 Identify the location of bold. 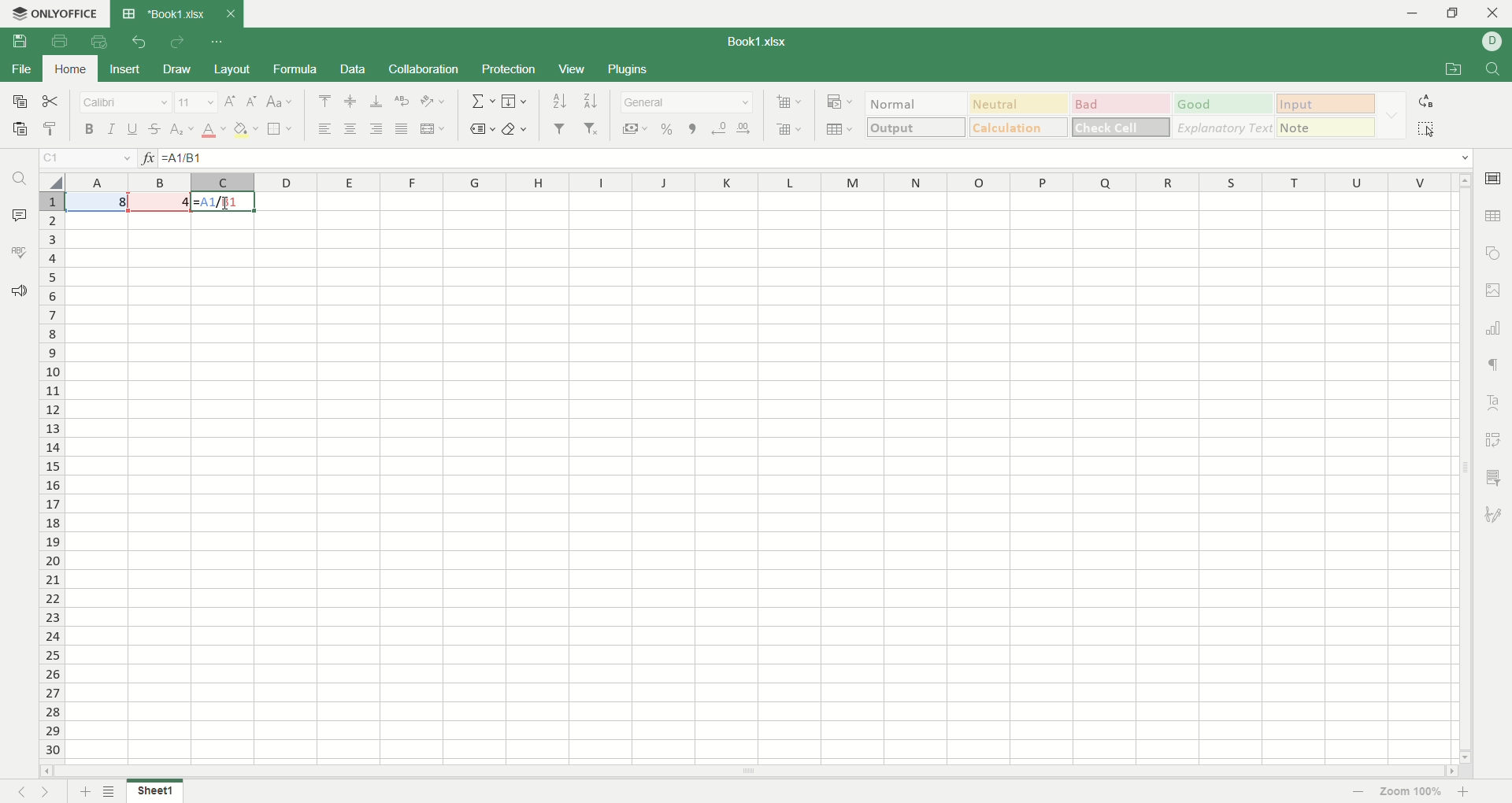
(89, 128).